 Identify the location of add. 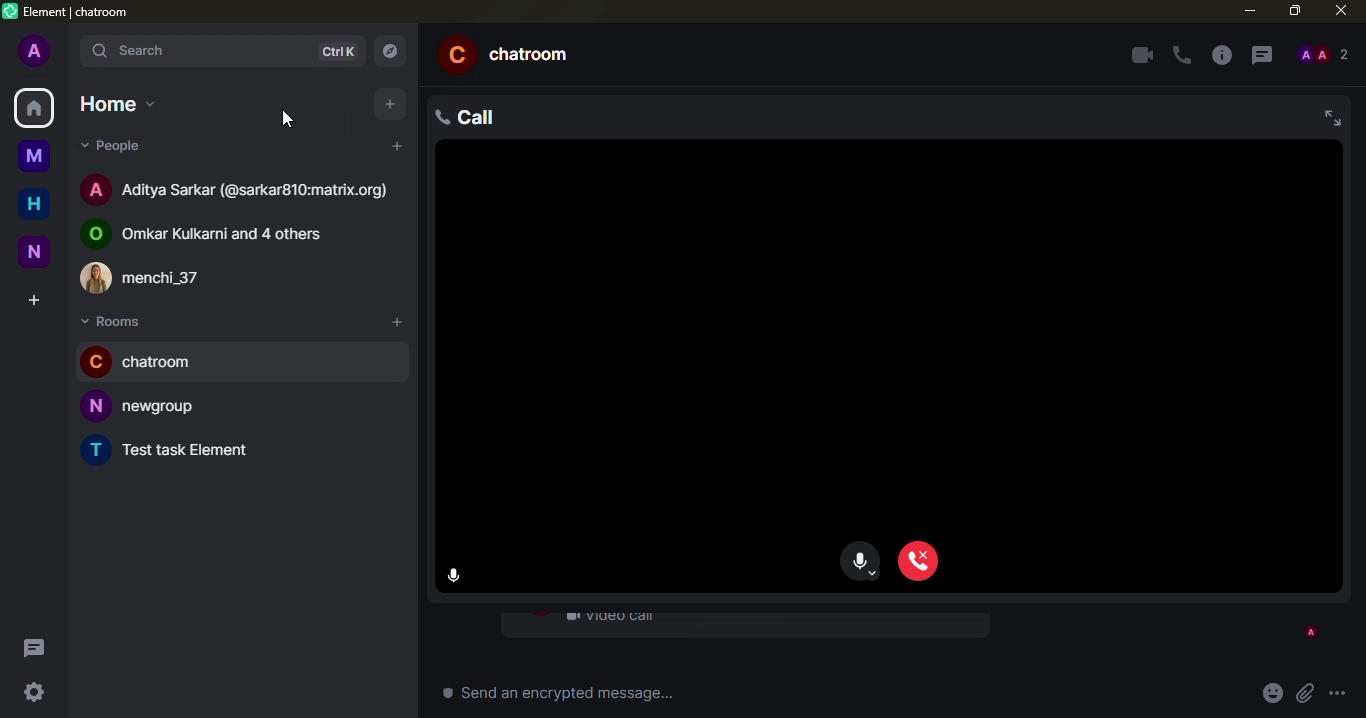
(387, 104).